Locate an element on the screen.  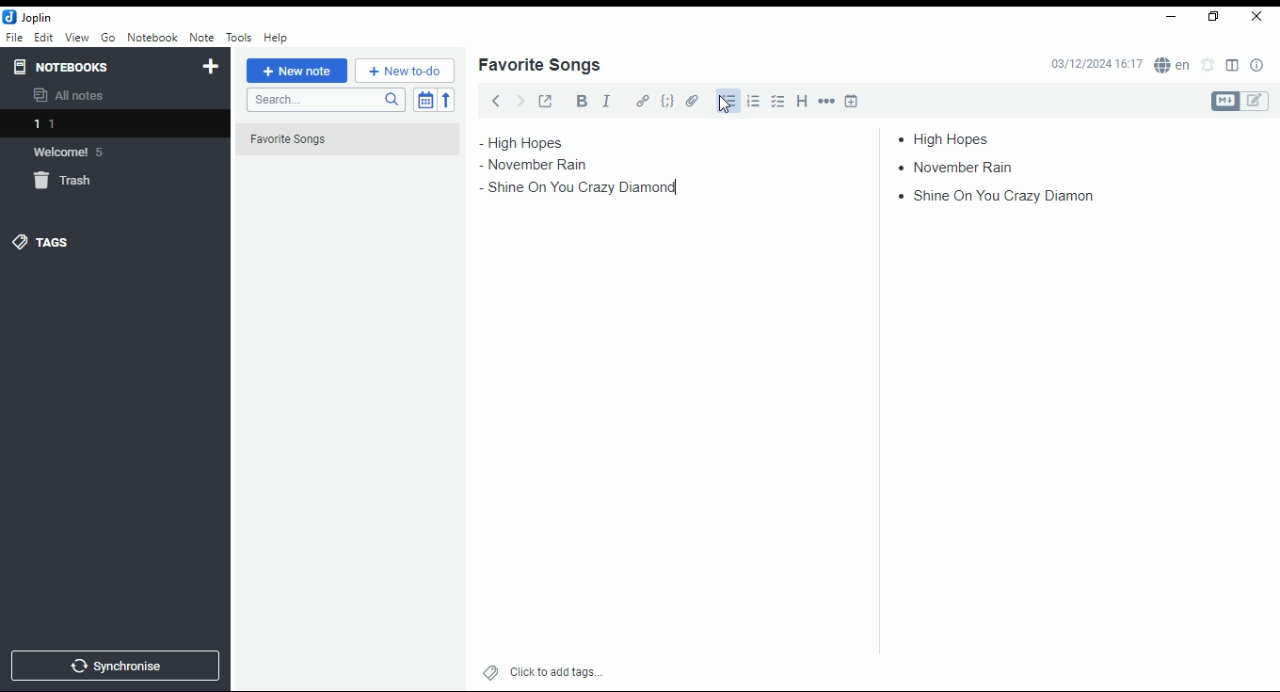
toggle external editing is located at coordinates (546, 100).